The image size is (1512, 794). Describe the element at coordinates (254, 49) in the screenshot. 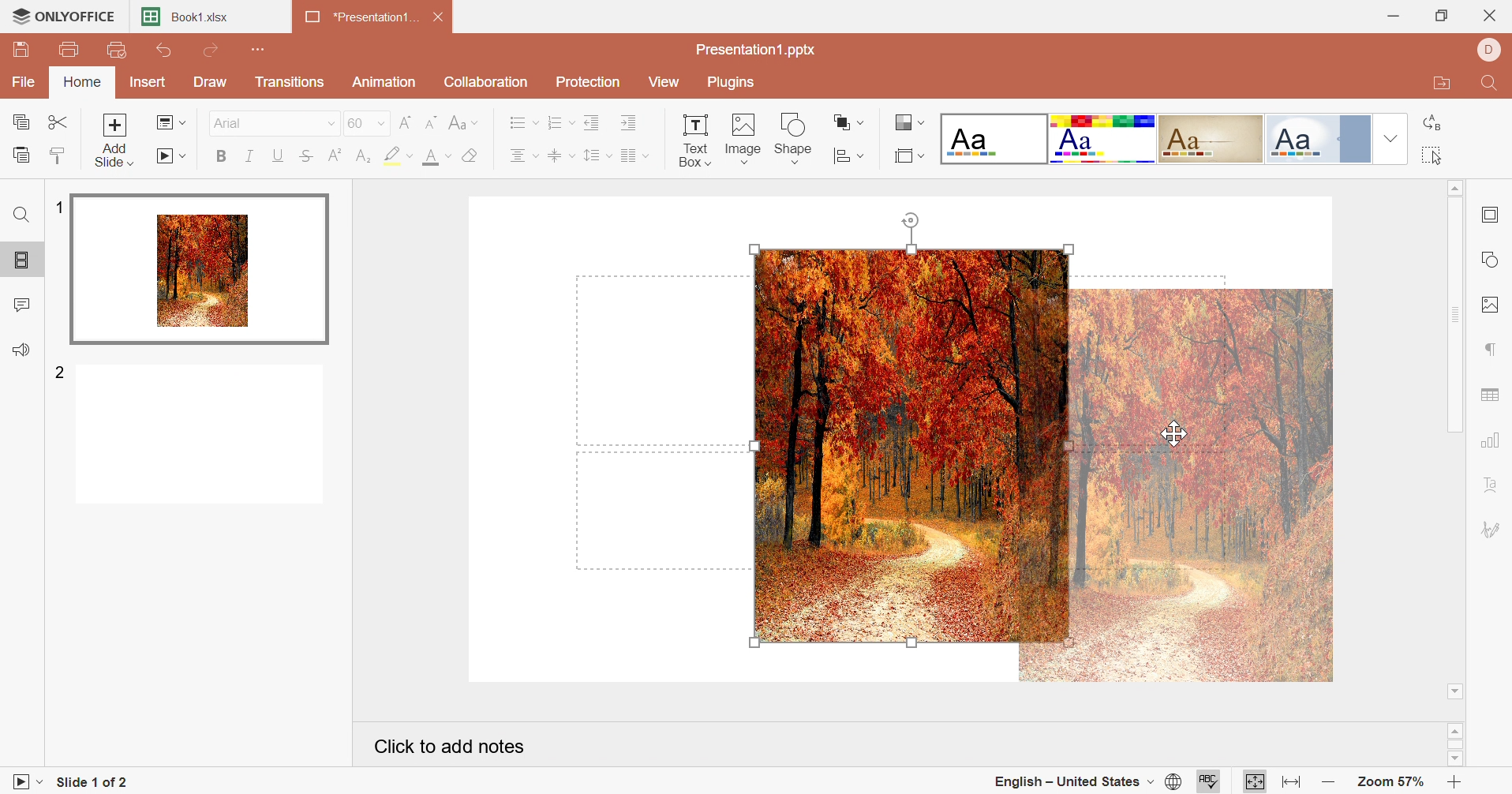

I see `Customize Quick Access Toolbar` at that location.